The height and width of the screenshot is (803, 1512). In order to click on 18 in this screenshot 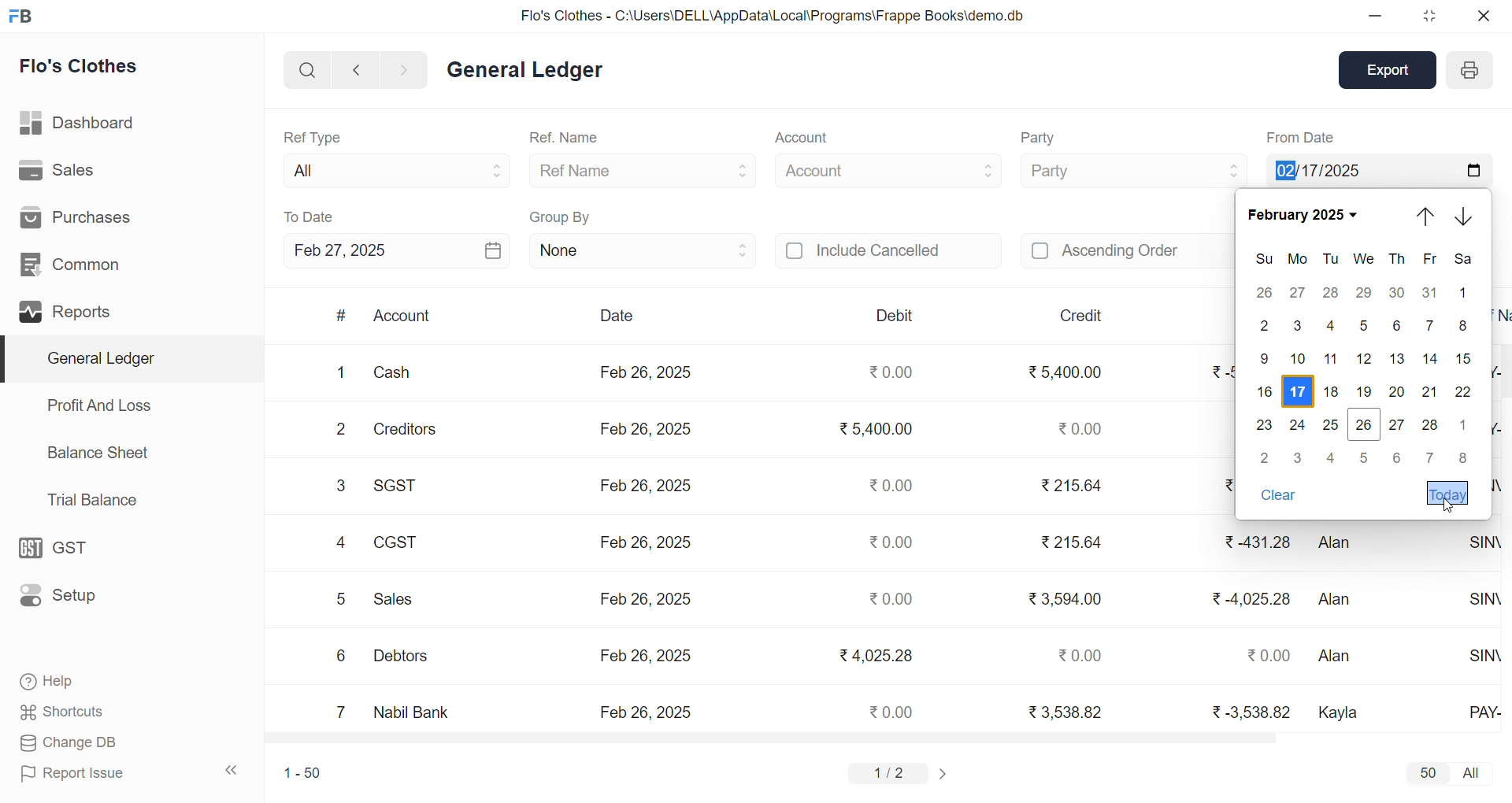, I will do `click(1332, 390)`.